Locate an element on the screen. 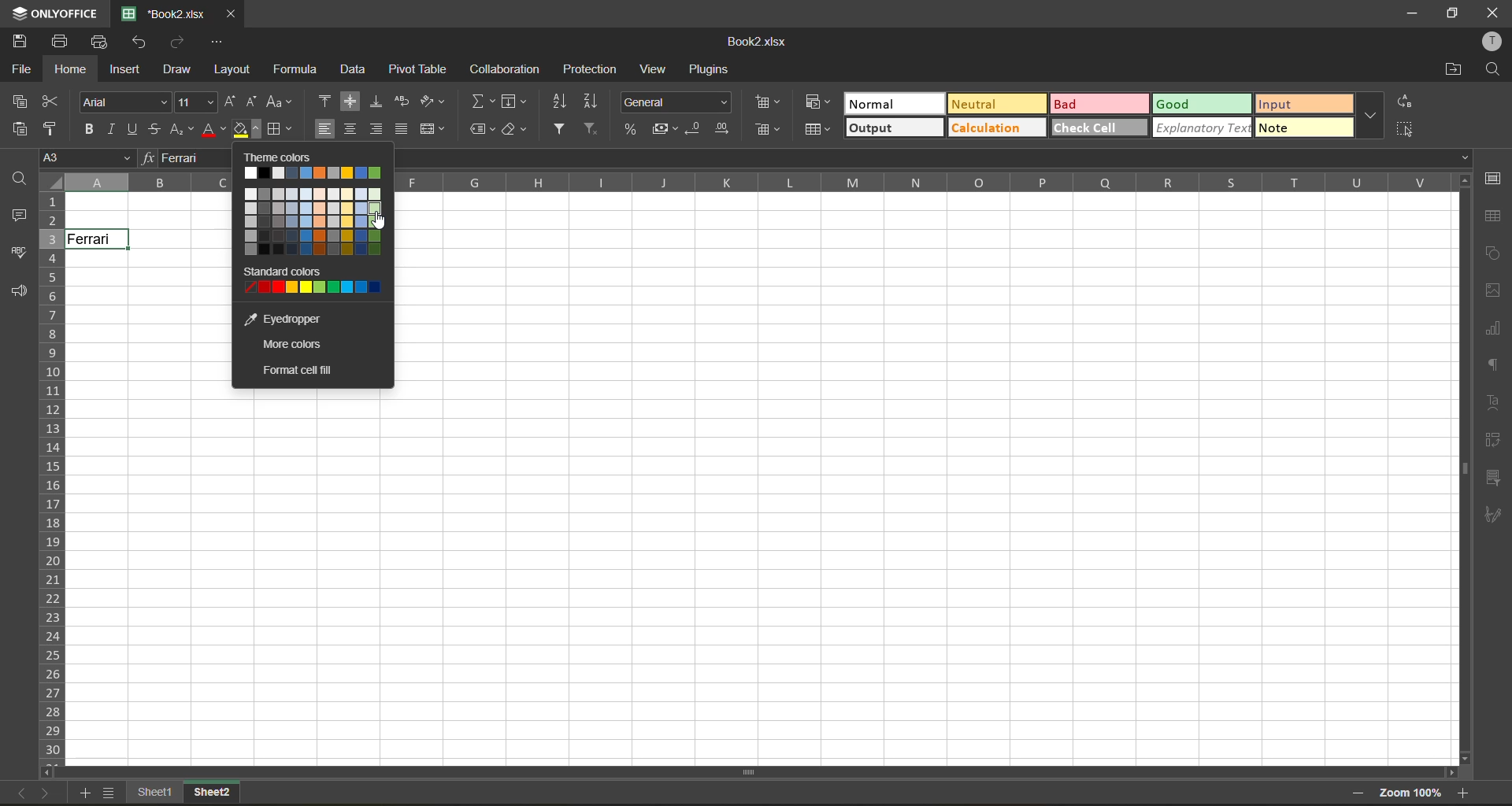 Image resolution: width=1512 pixels, height=806 pixels. font size is located at coordinates (195, 102).